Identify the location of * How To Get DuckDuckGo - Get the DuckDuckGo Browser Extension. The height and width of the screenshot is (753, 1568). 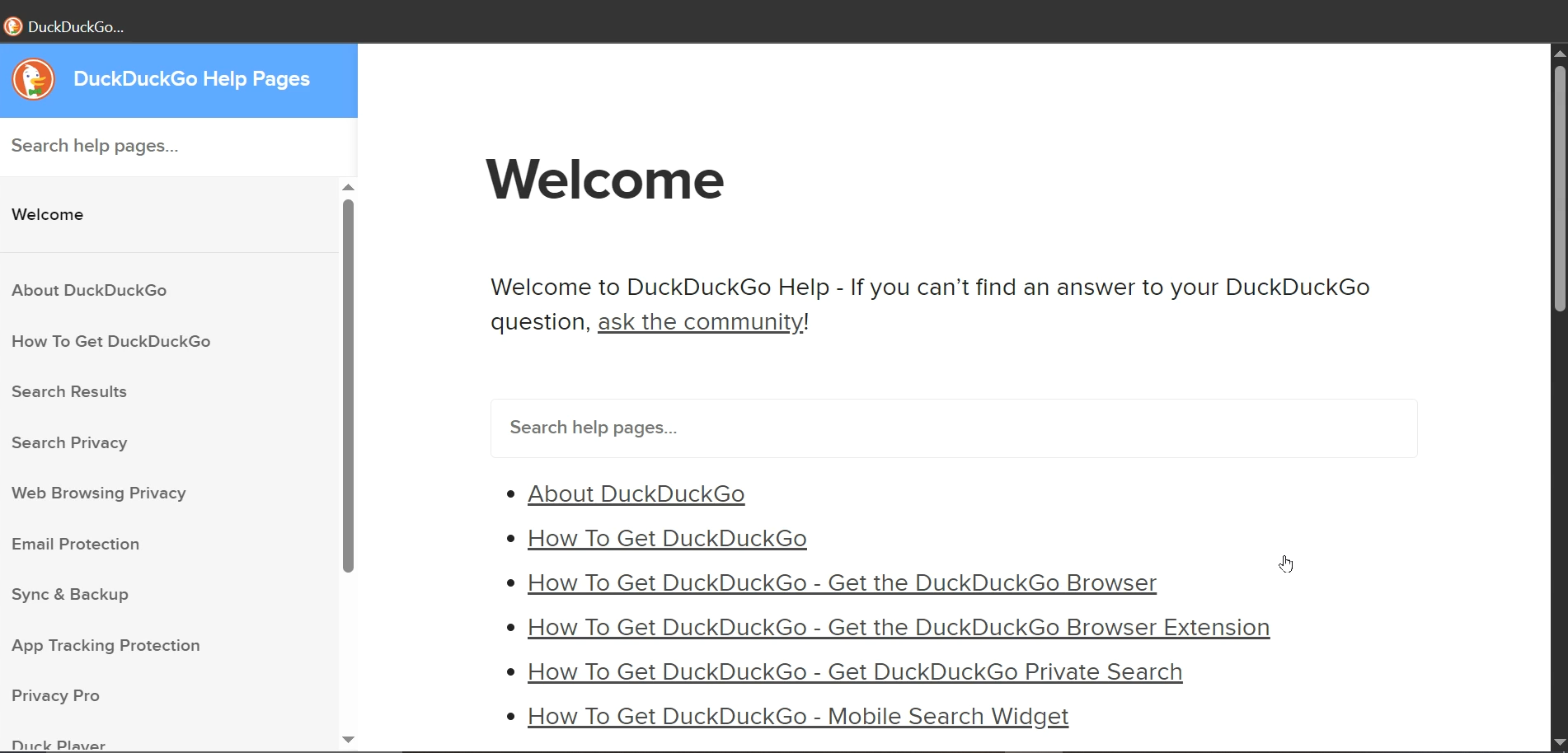
(897, 629).